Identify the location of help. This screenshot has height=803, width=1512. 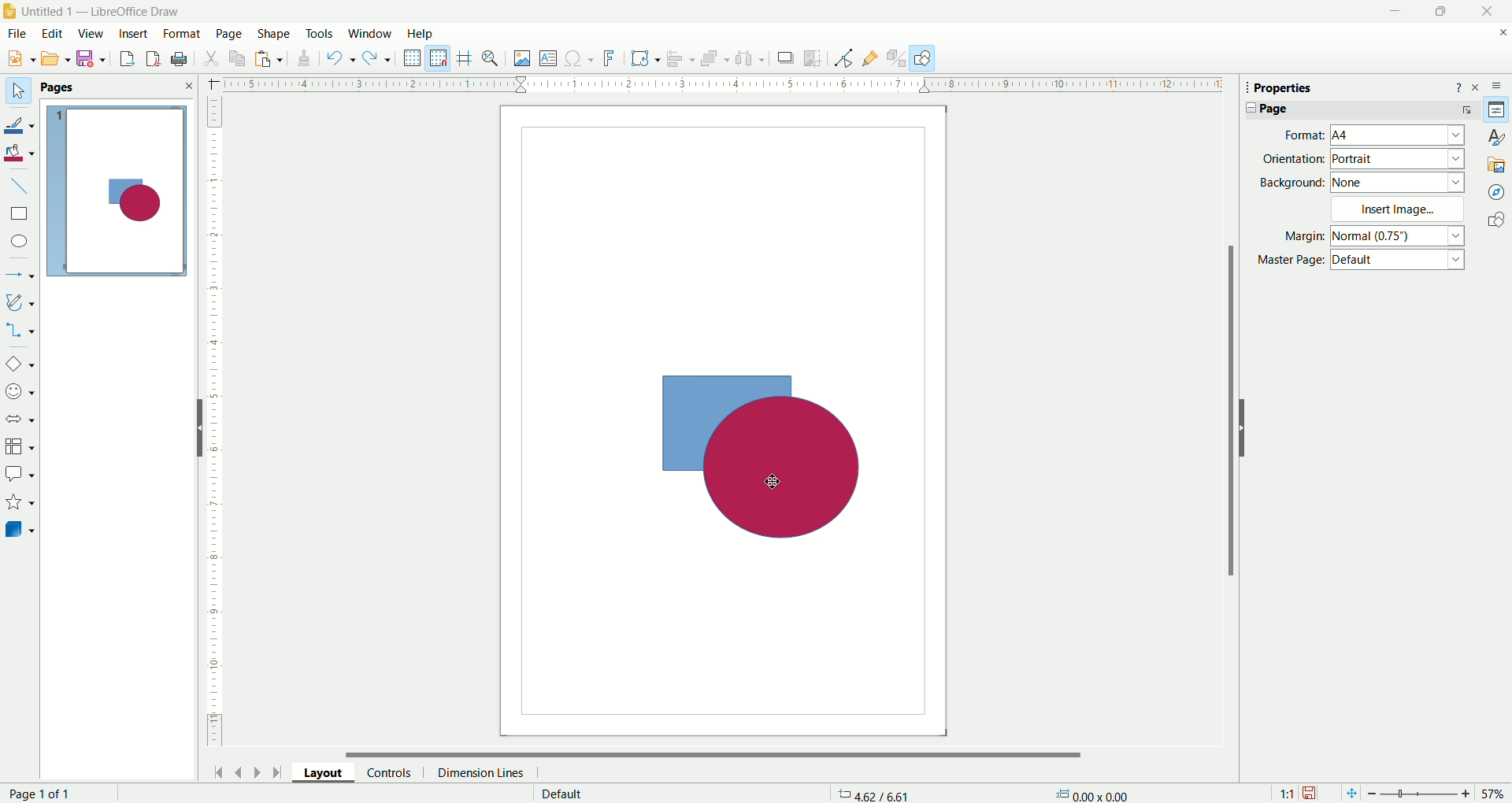
(420, 33).